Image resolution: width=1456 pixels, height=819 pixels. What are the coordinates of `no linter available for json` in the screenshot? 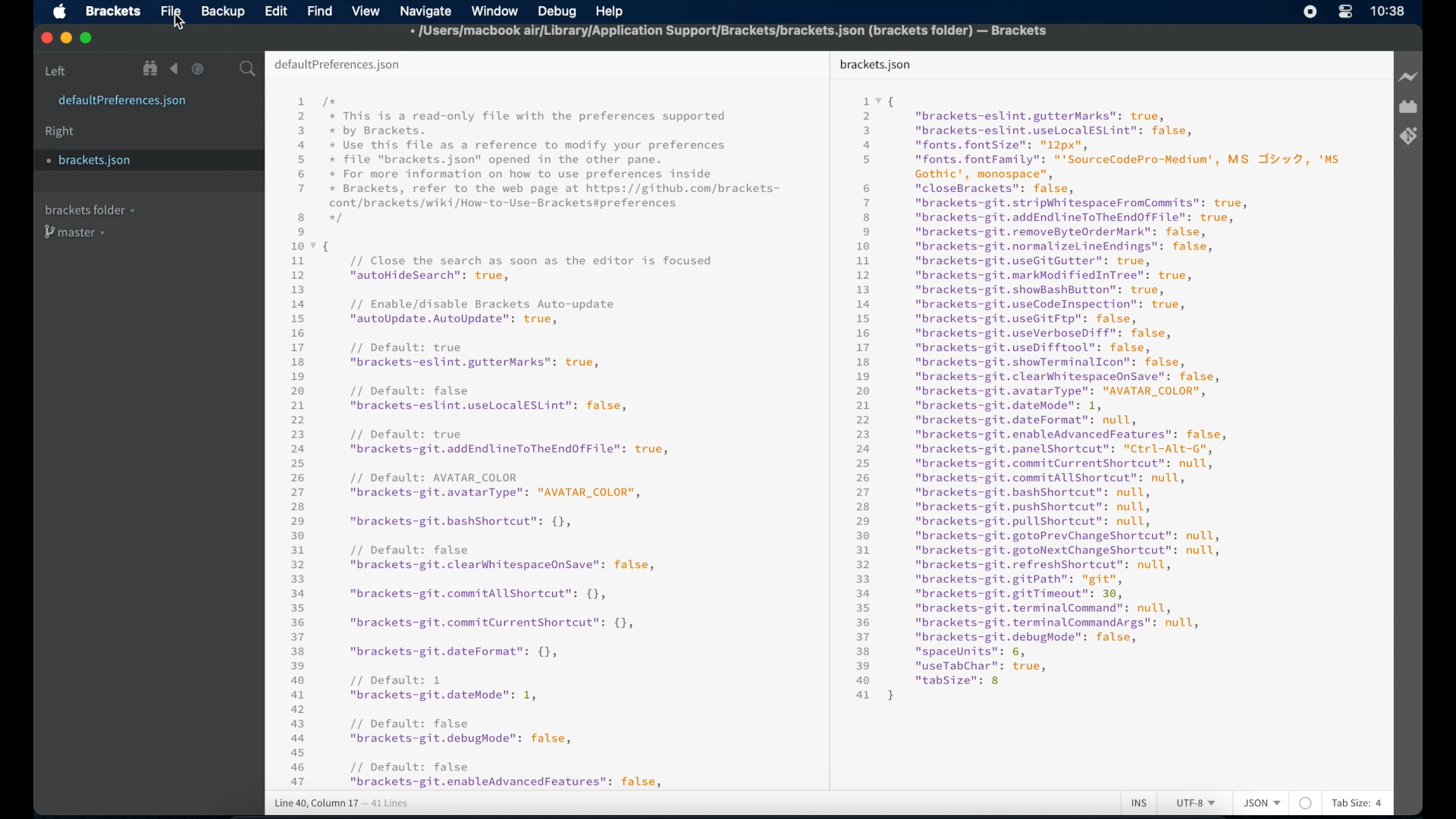 It's located at (1306, 804).